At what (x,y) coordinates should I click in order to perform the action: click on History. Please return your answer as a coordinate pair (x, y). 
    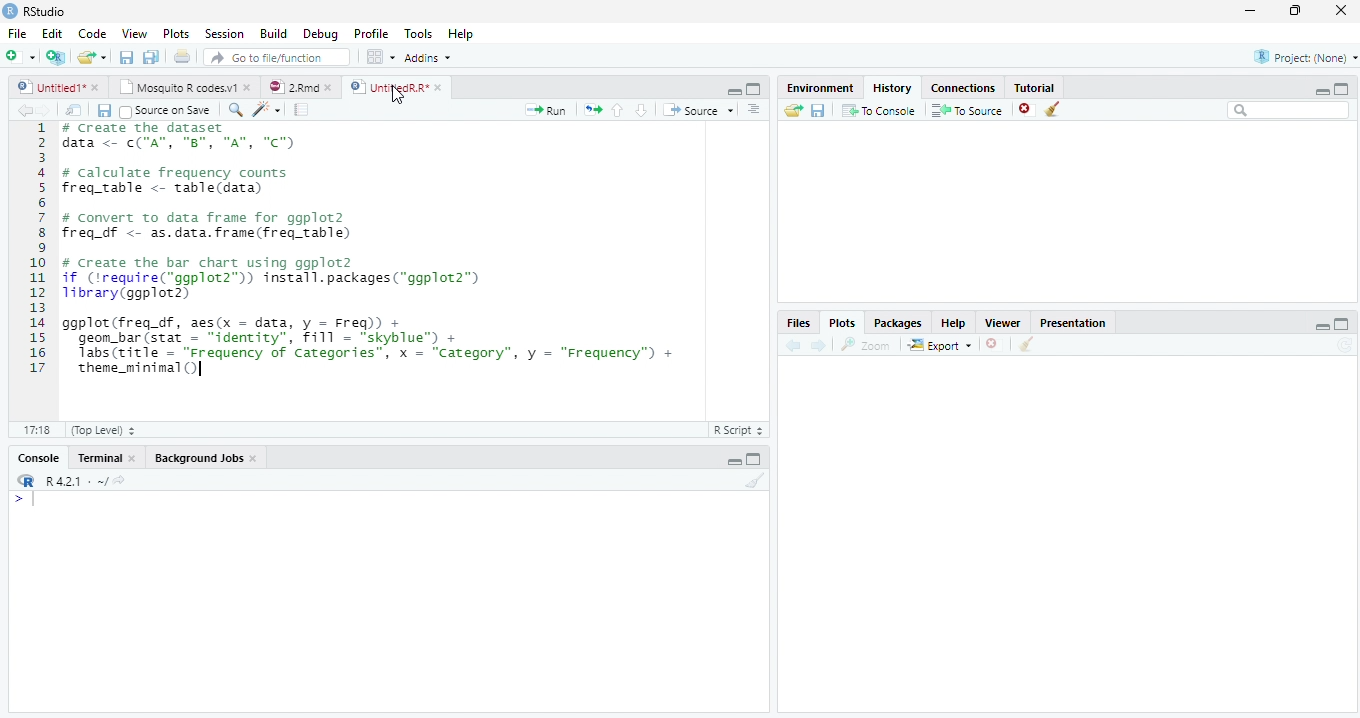
    Looking at the image, I should click on (896, 88).